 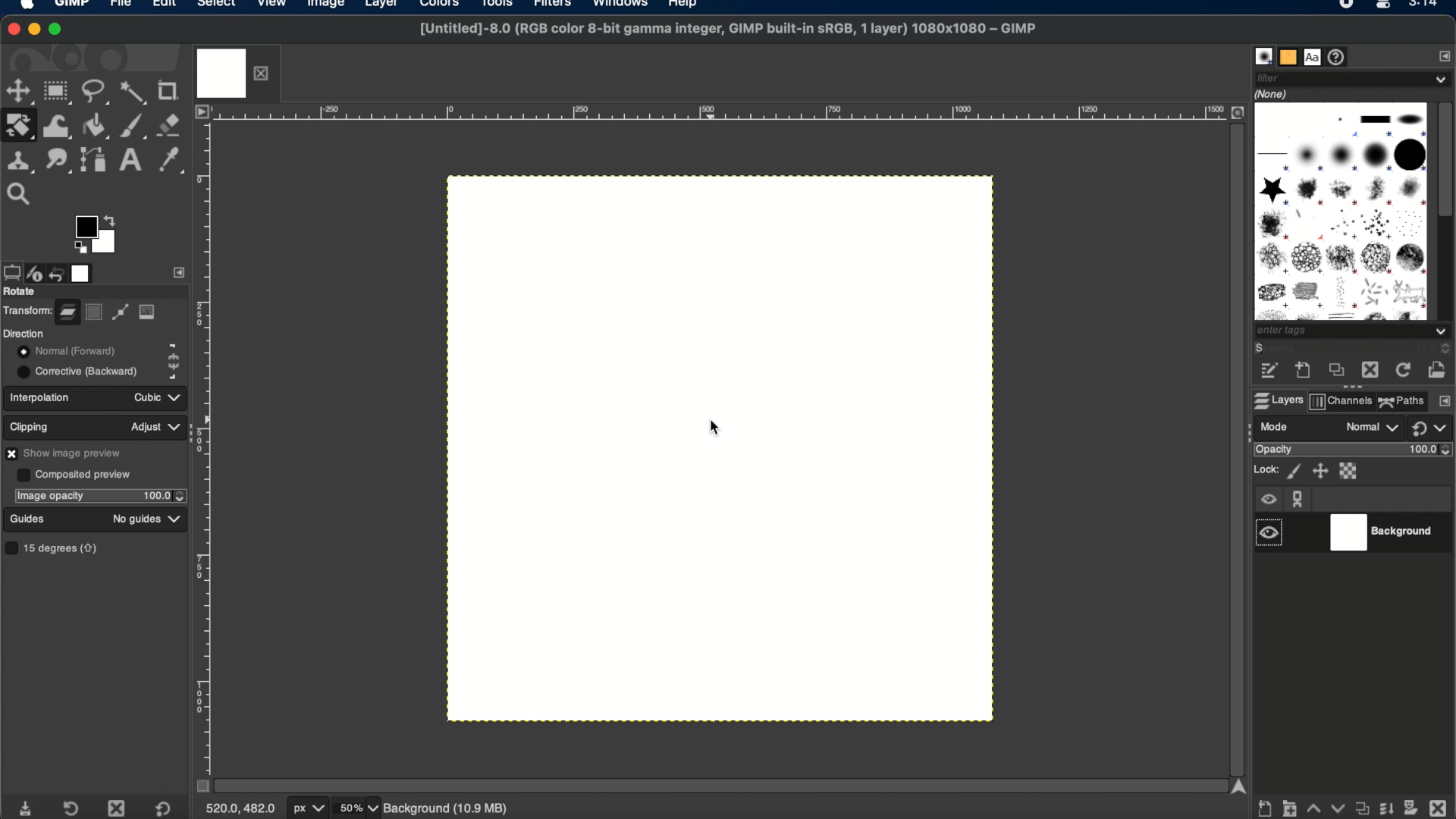 What do you see at coordinates (1370, 370) in the screenshot?
I see `delete this brush` at bounding box center [1370, 370].